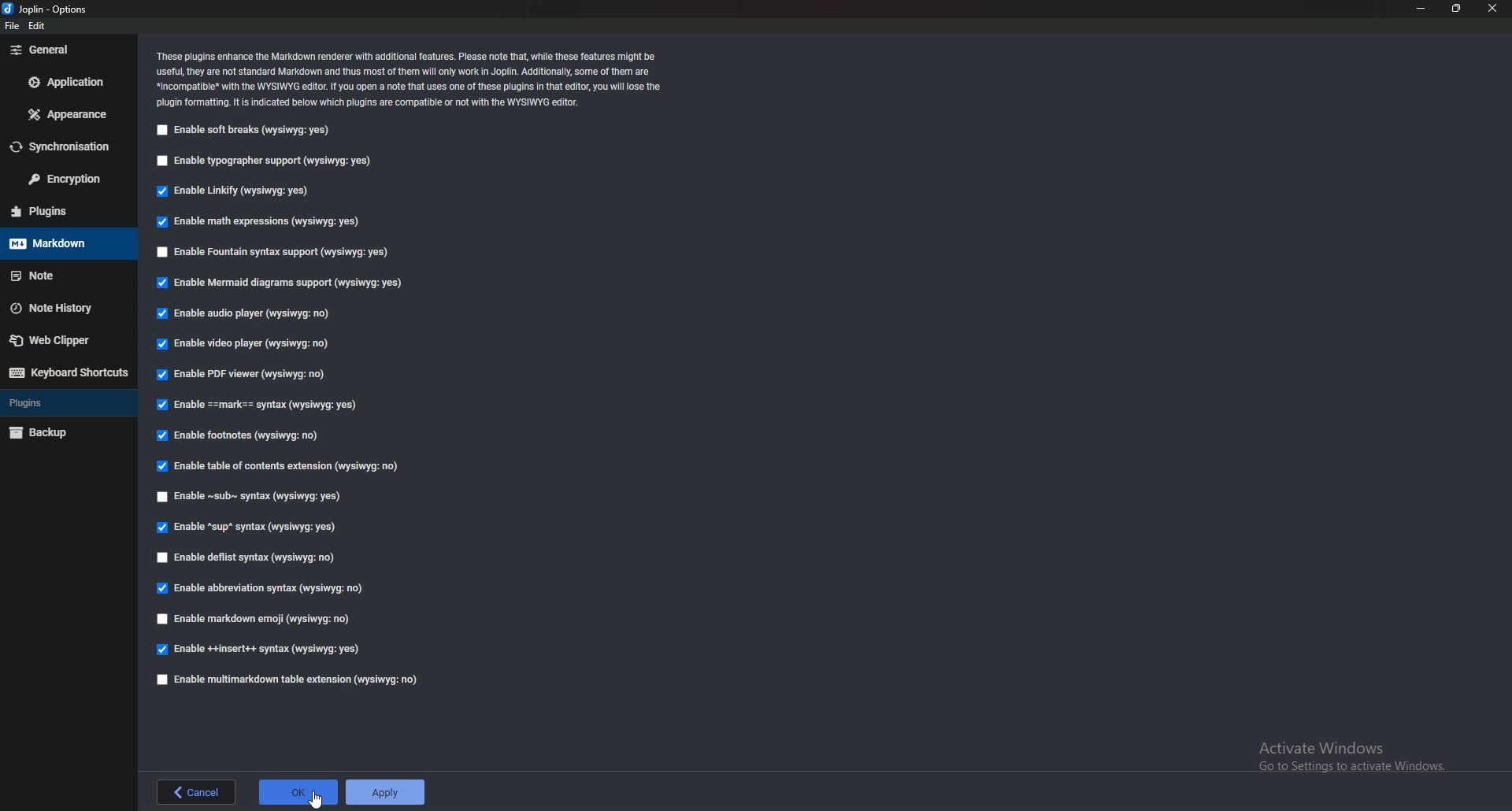  What do you see at coordinates (258, 589) in the screenshot?
I see `Enable abbreviation syntax (wysiwyg: no)` at bounding box center [258, 589].